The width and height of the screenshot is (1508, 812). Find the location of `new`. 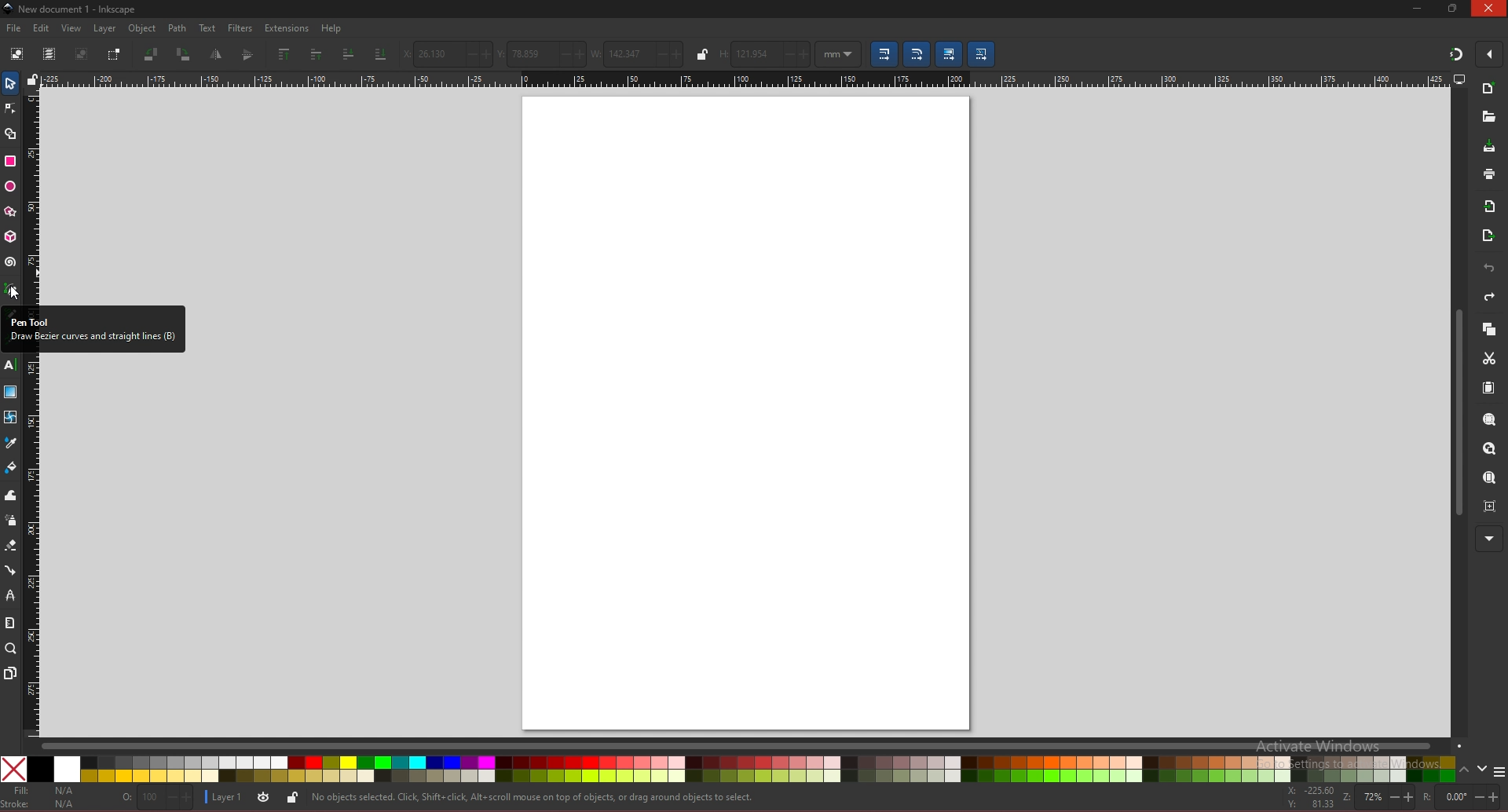

new is located at coordinates (1488, 117).